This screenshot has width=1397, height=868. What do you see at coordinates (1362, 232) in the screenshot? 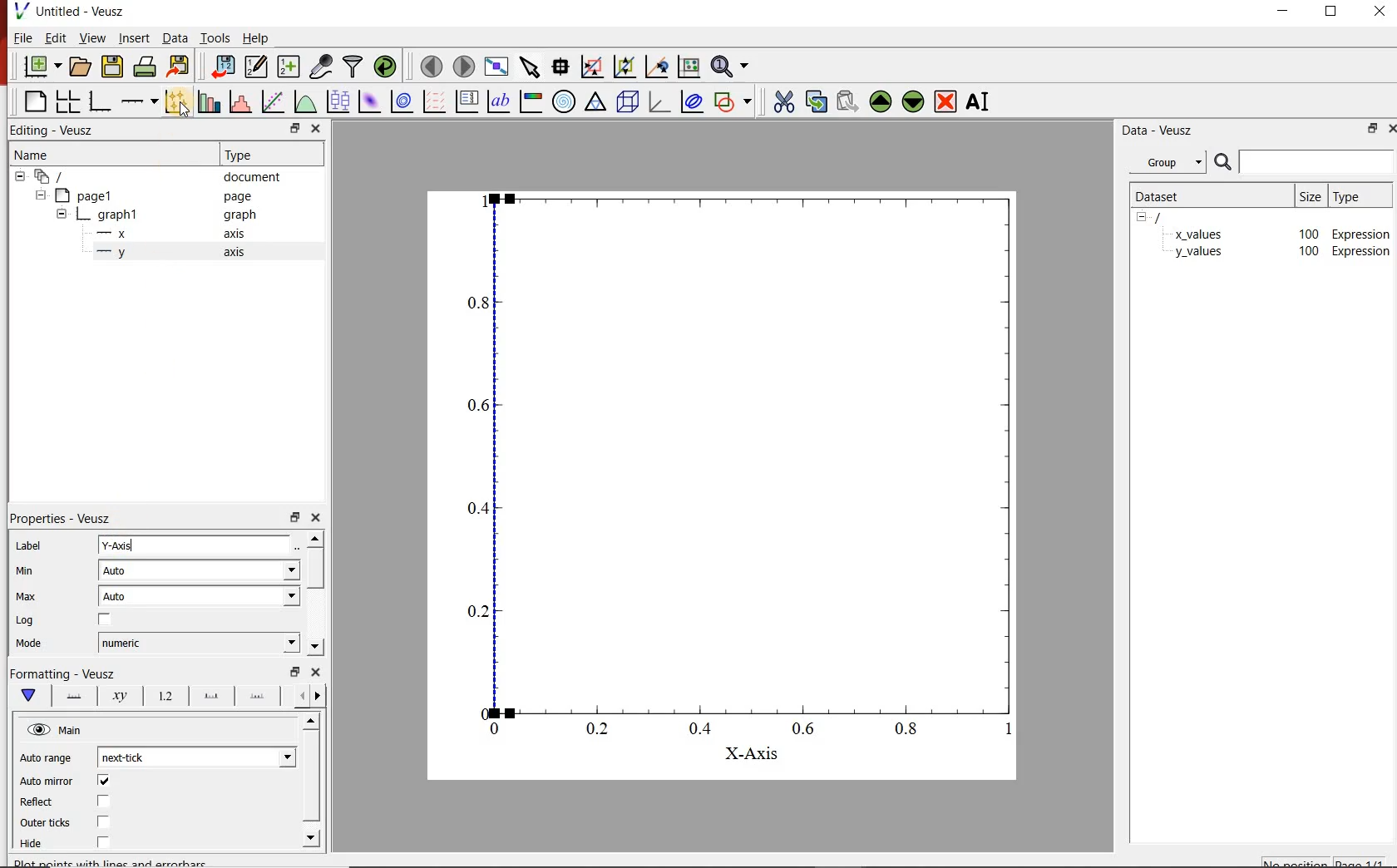
I see `Expression` at bounding box center [1362, 232].